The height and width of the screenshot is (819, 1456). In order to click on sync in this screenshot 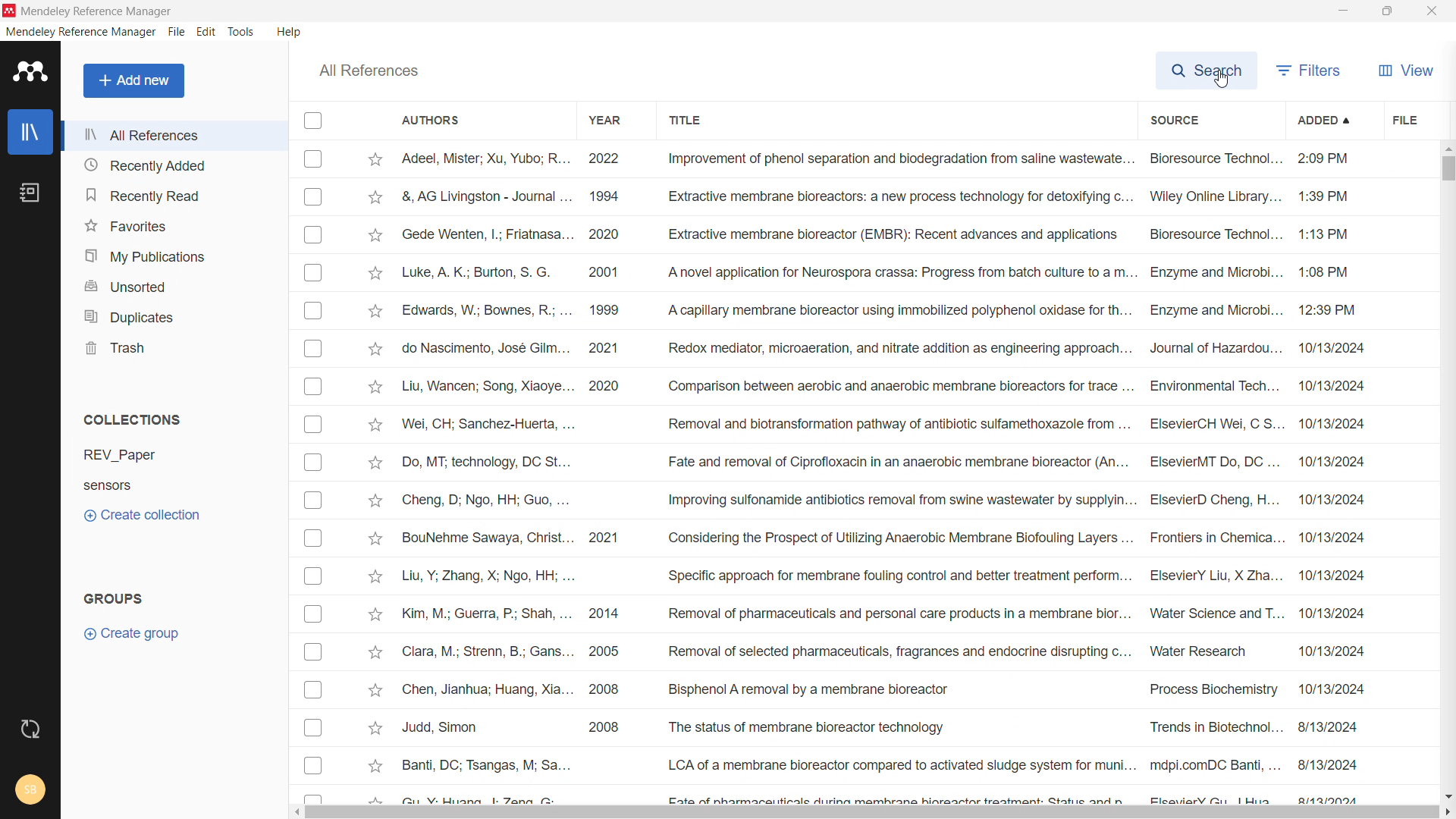, I will do `click(30, 730)`.